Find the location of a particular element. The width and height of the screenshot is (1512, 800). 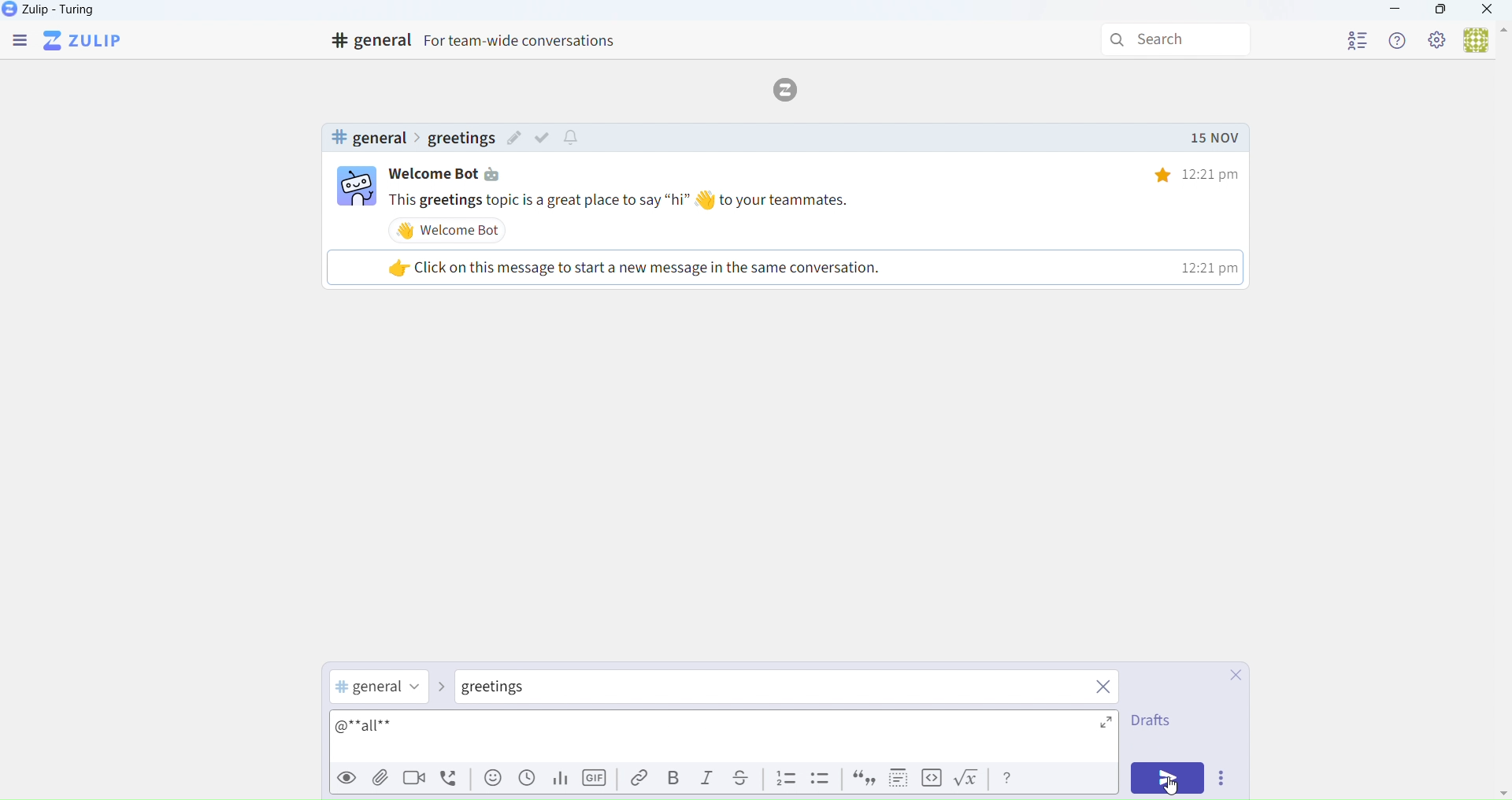

Search is located at coordinates (1179, 40).